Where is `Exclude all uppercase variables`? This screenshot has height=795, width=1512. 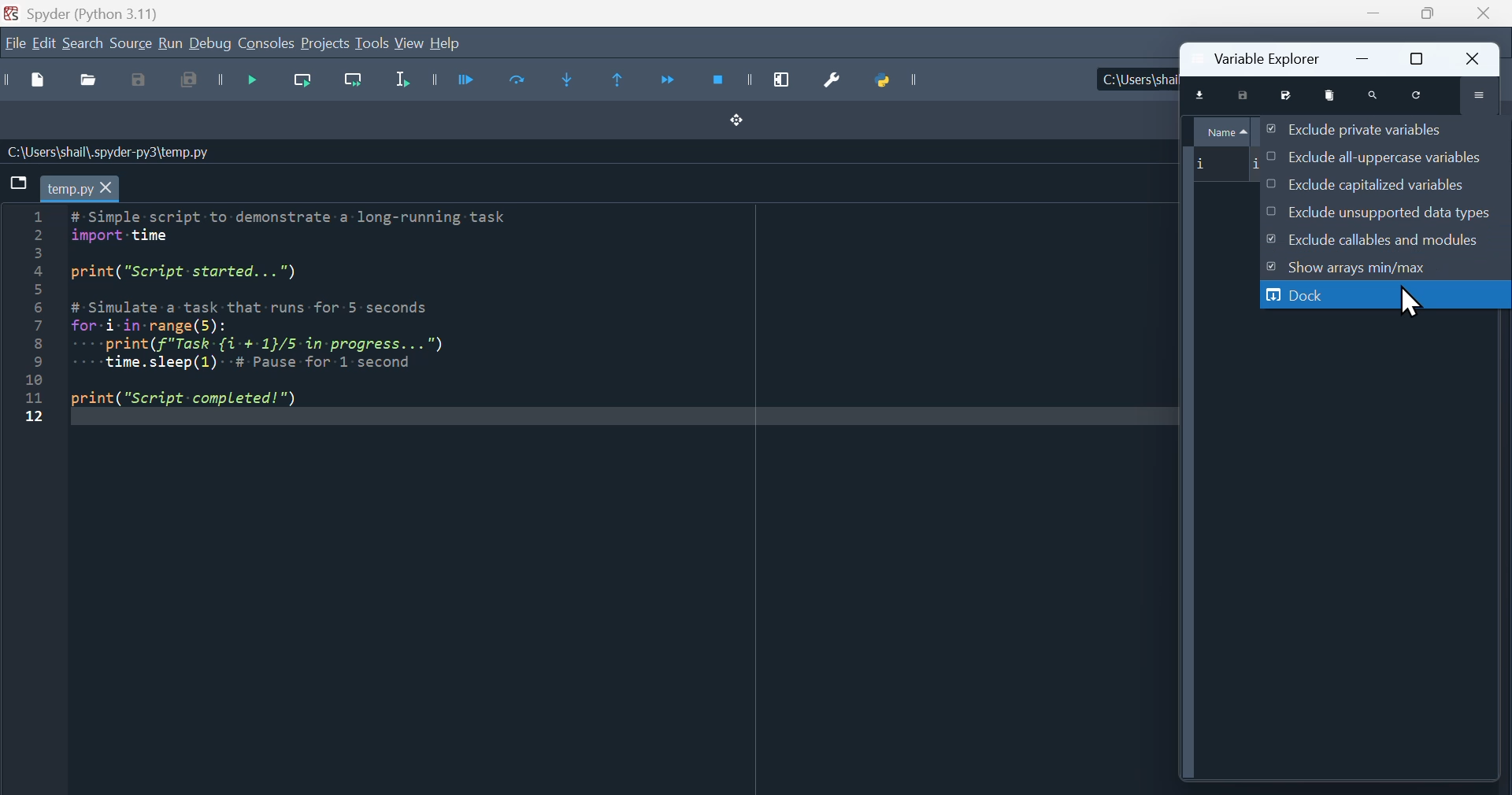
Exclude all uppercase variables is located at coordinates (1383, 158).